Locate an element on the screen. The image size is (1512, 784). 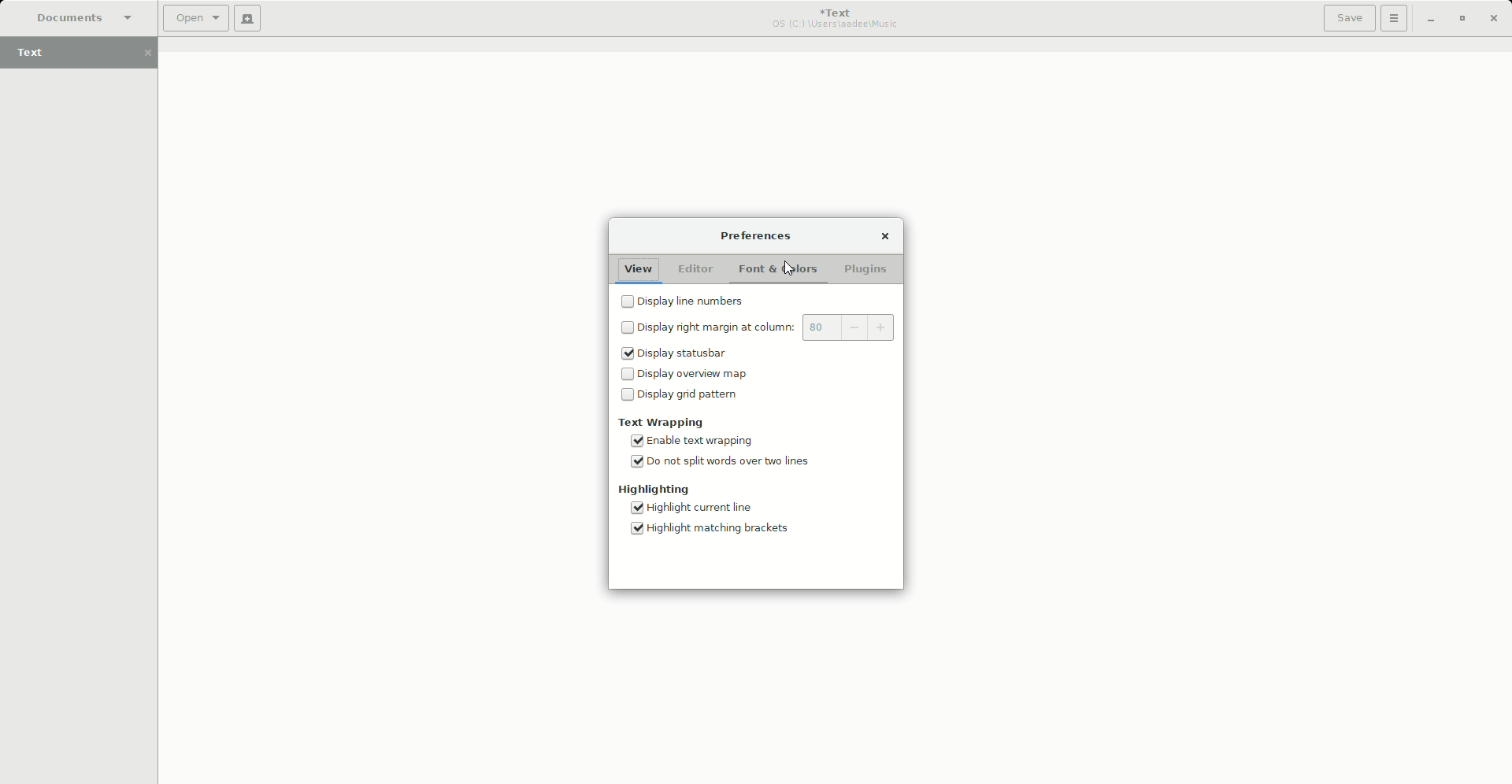
Restore is located at coordinates (1461, 18).